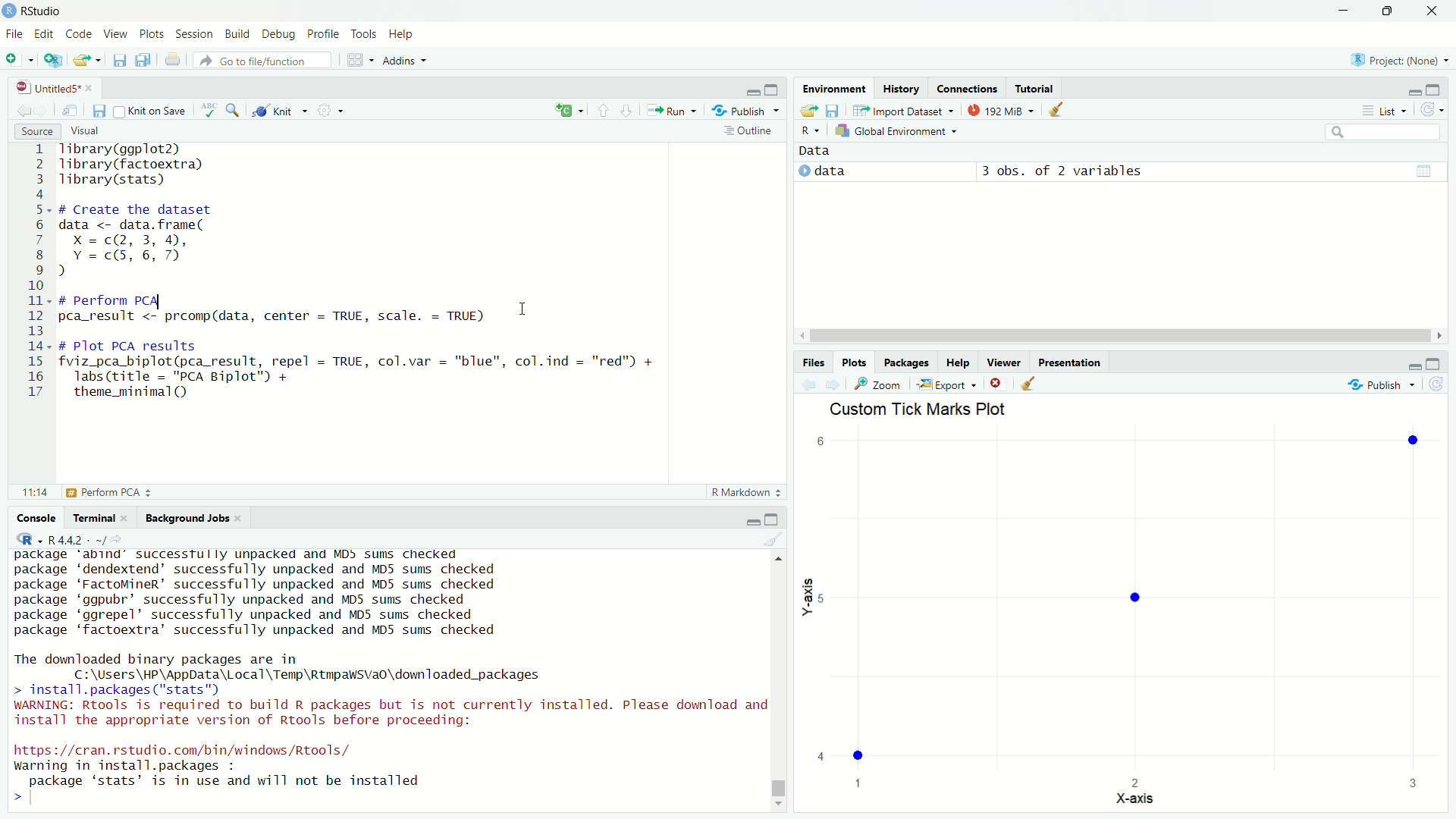 The height and width of the screenshot is (819, 1456). What do you see at coordinates (87, 60) in the screenshot?
I see `open an existing file` at bounding box center [87, 60].